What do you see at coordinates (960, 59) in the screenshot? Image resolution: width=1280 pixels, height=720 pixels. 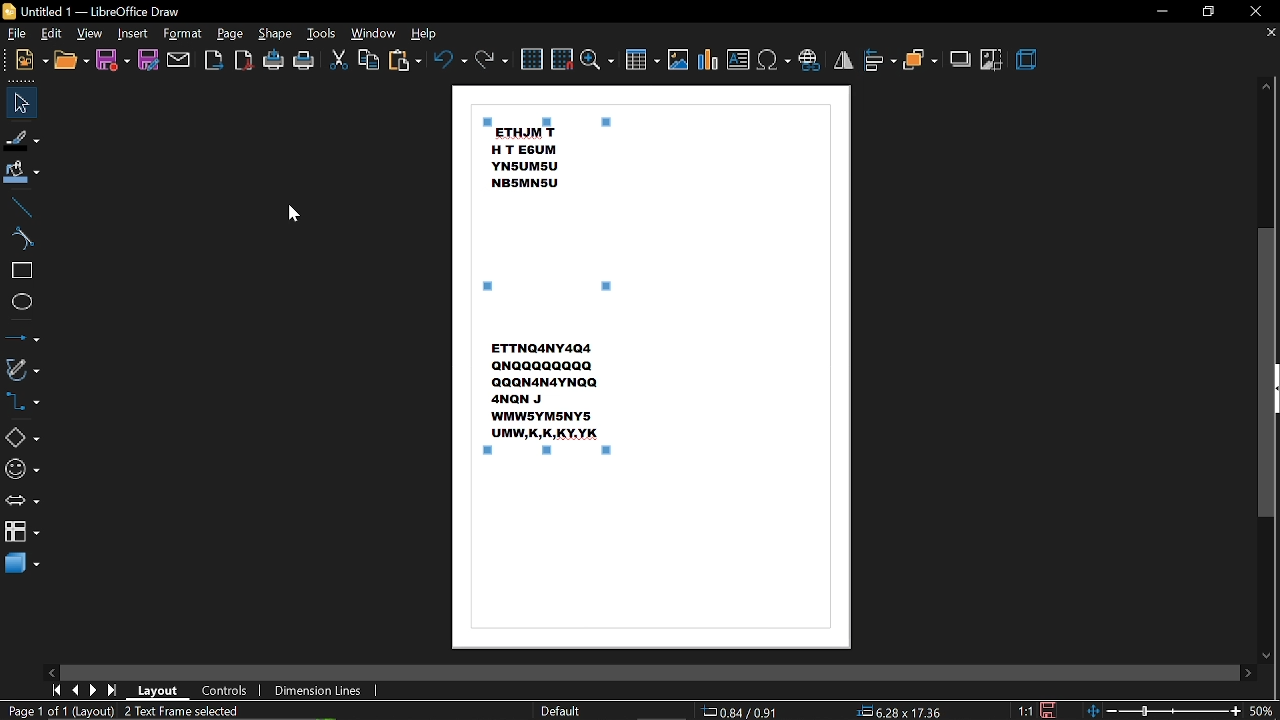 I see `shadow` at bounding box center [960, 59].